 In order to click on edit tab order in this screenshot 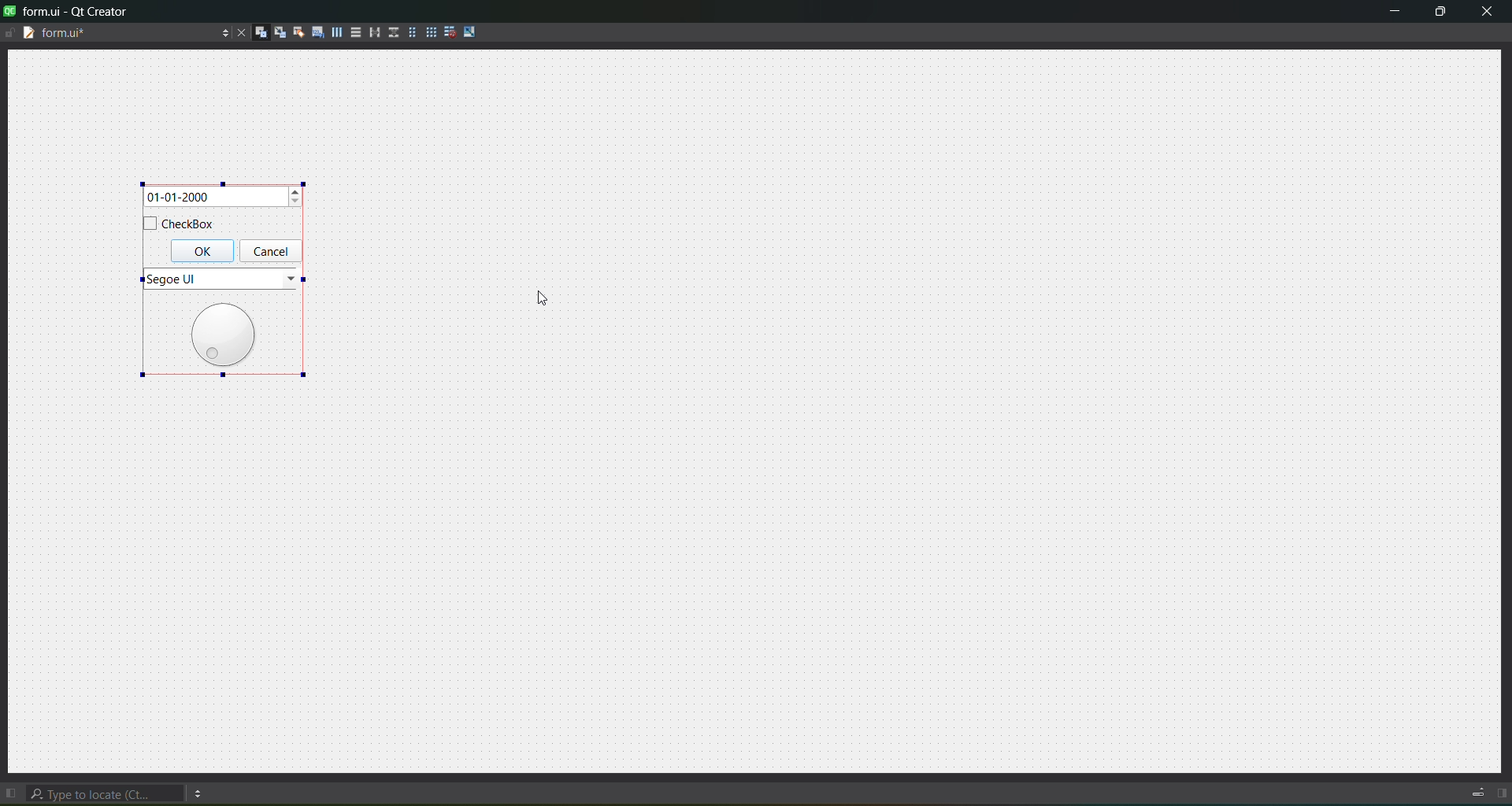, I will do `click(314, 30)`.